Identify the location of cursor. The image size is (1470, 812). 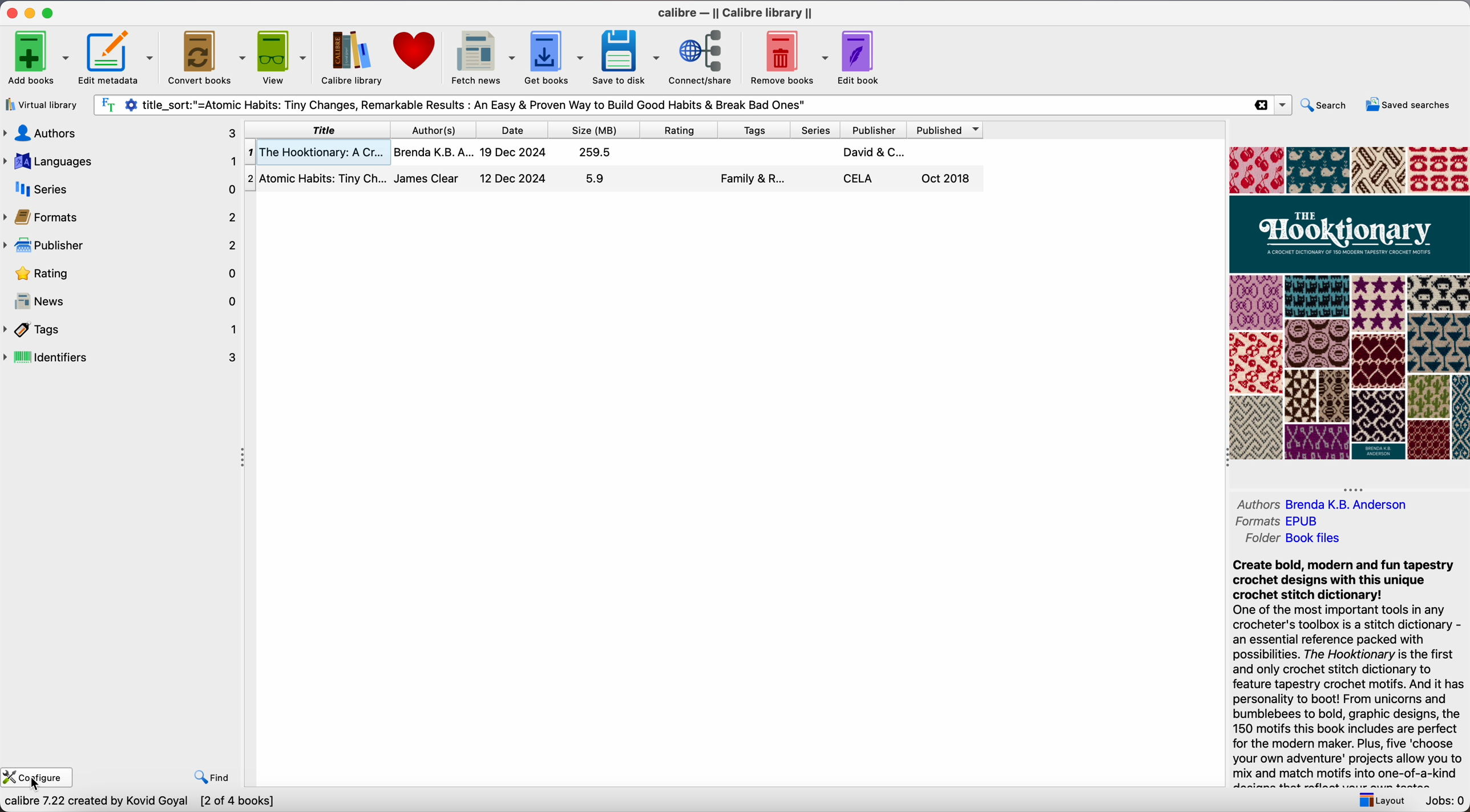
(37, 783).